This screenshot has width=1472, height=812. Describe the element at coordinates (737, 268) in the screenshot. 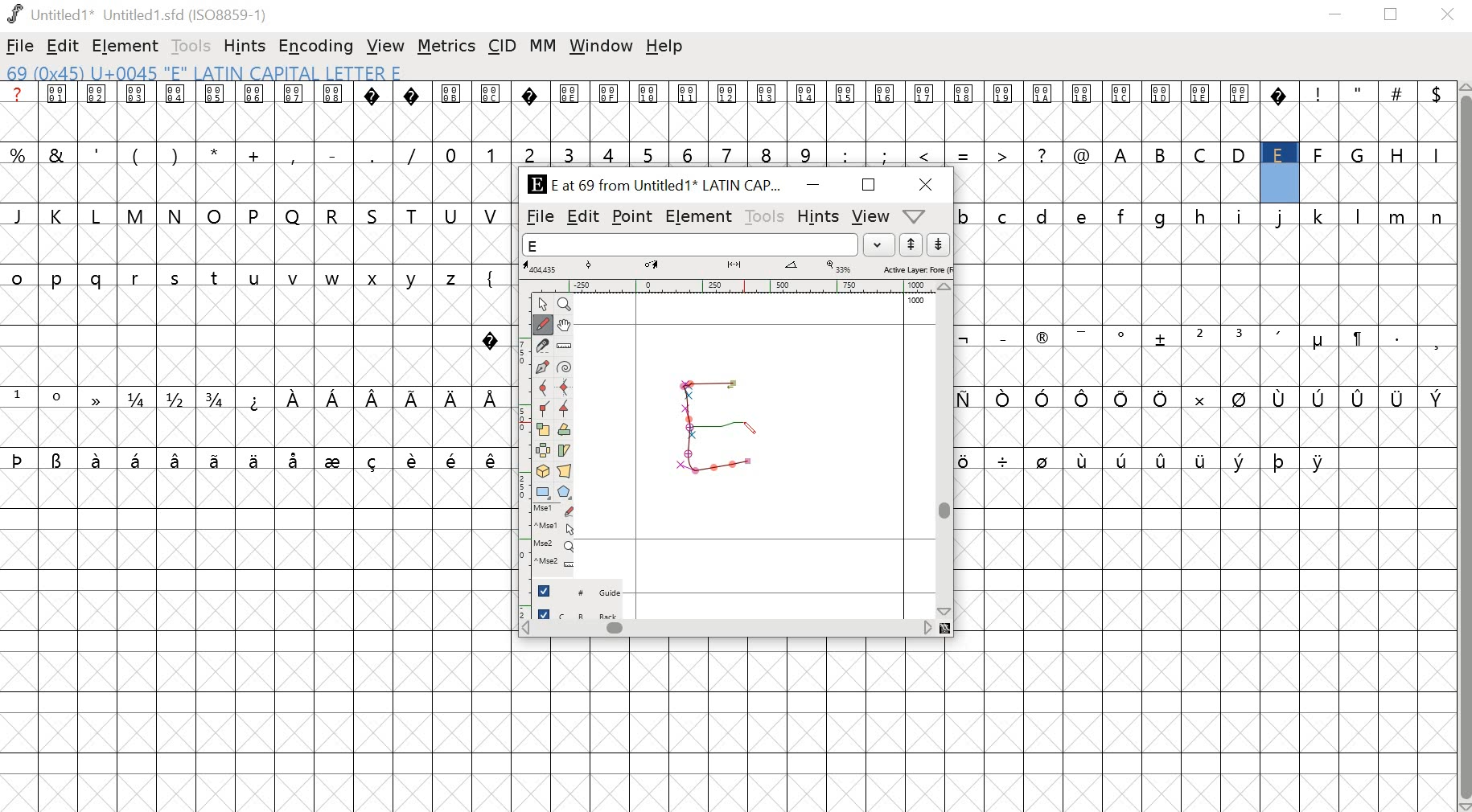

I see `measurements` at that location.